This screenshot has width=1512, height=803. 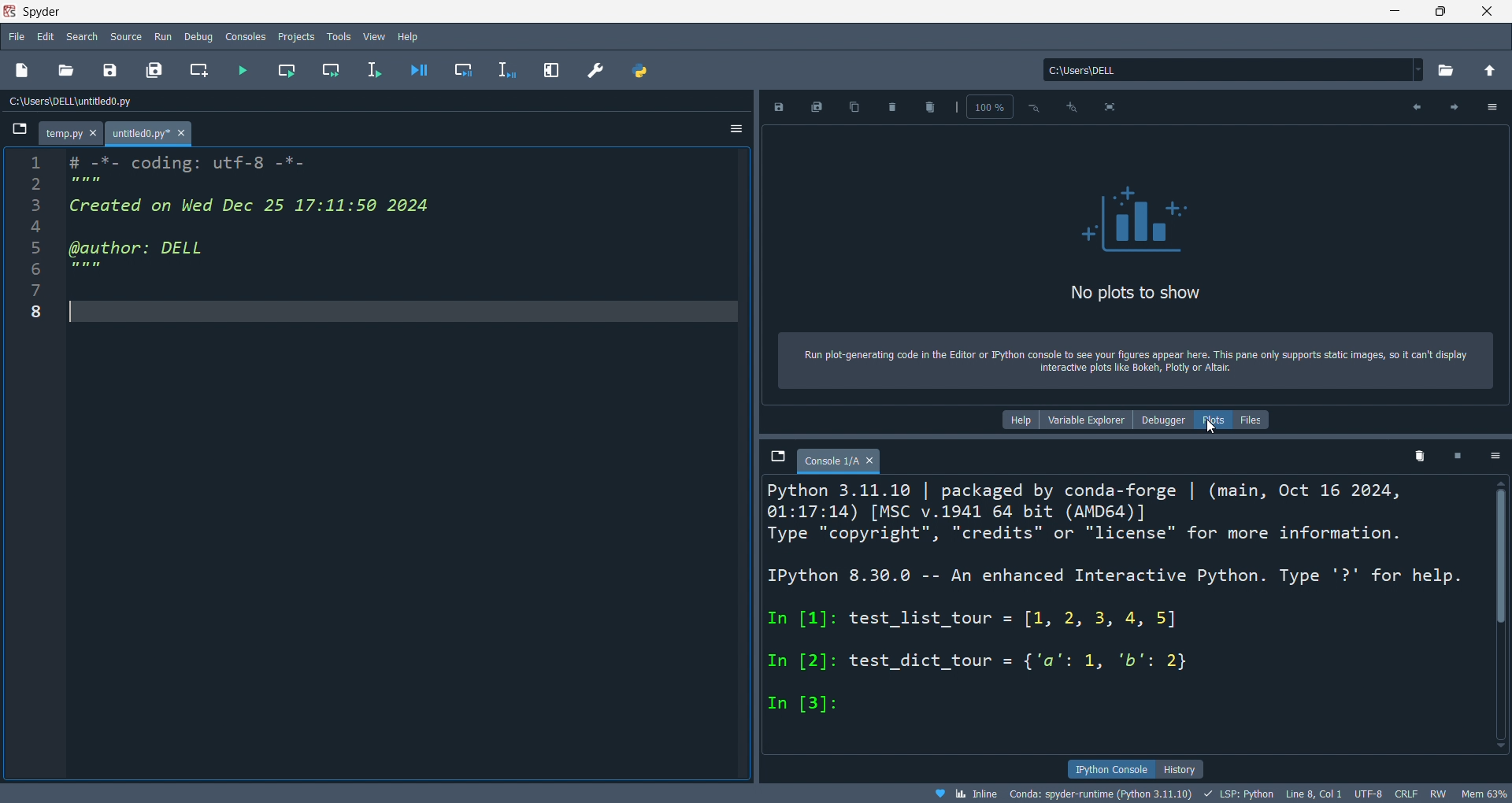 What do you see at coordinates (1413, 106) in the screenshot?
I see `go back` at bounding box center [1413, 106].